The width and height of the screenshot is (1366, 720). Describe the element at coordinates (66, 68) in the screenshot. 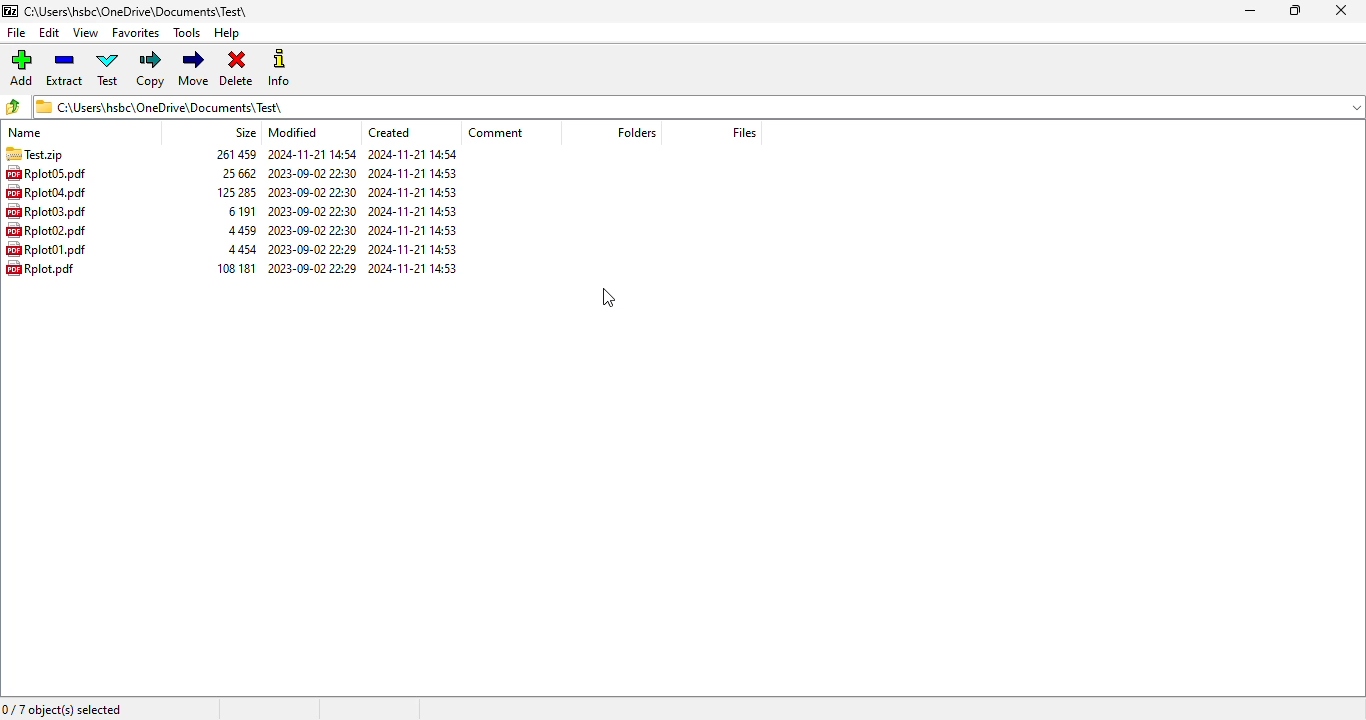

I see `extract` at that location.